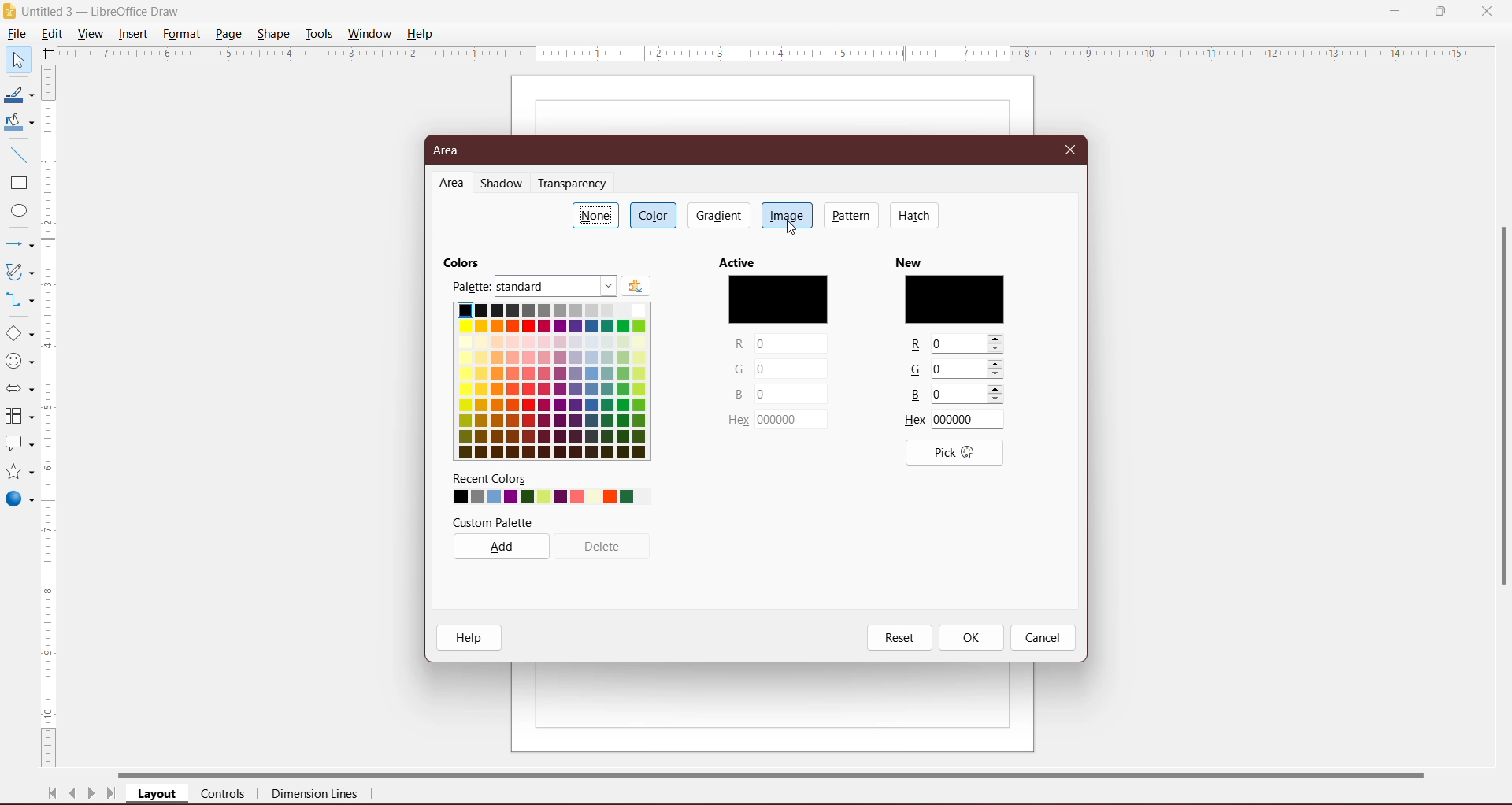 Image resolution: width=1512 pixels, height=805 pixels. Describe the element at coordinates (1440, 10) in the screenshot. I see `Restore Down` at that location.